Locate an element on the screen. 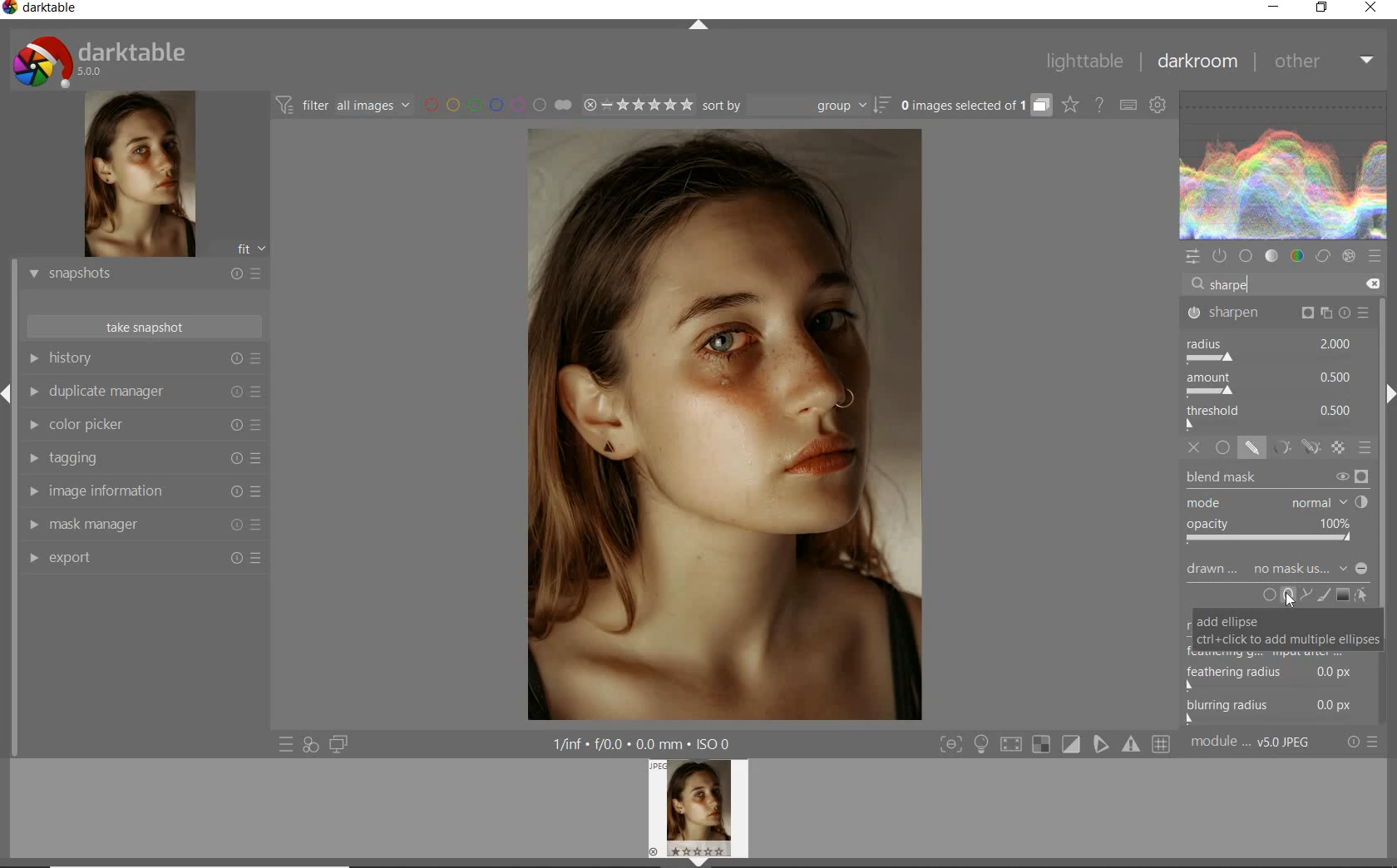 Image resolution: width=1397 pixels, height=868 pixels. SHOW & EDIT MASK ELEMENTS is located at coordinates (1363, 595).